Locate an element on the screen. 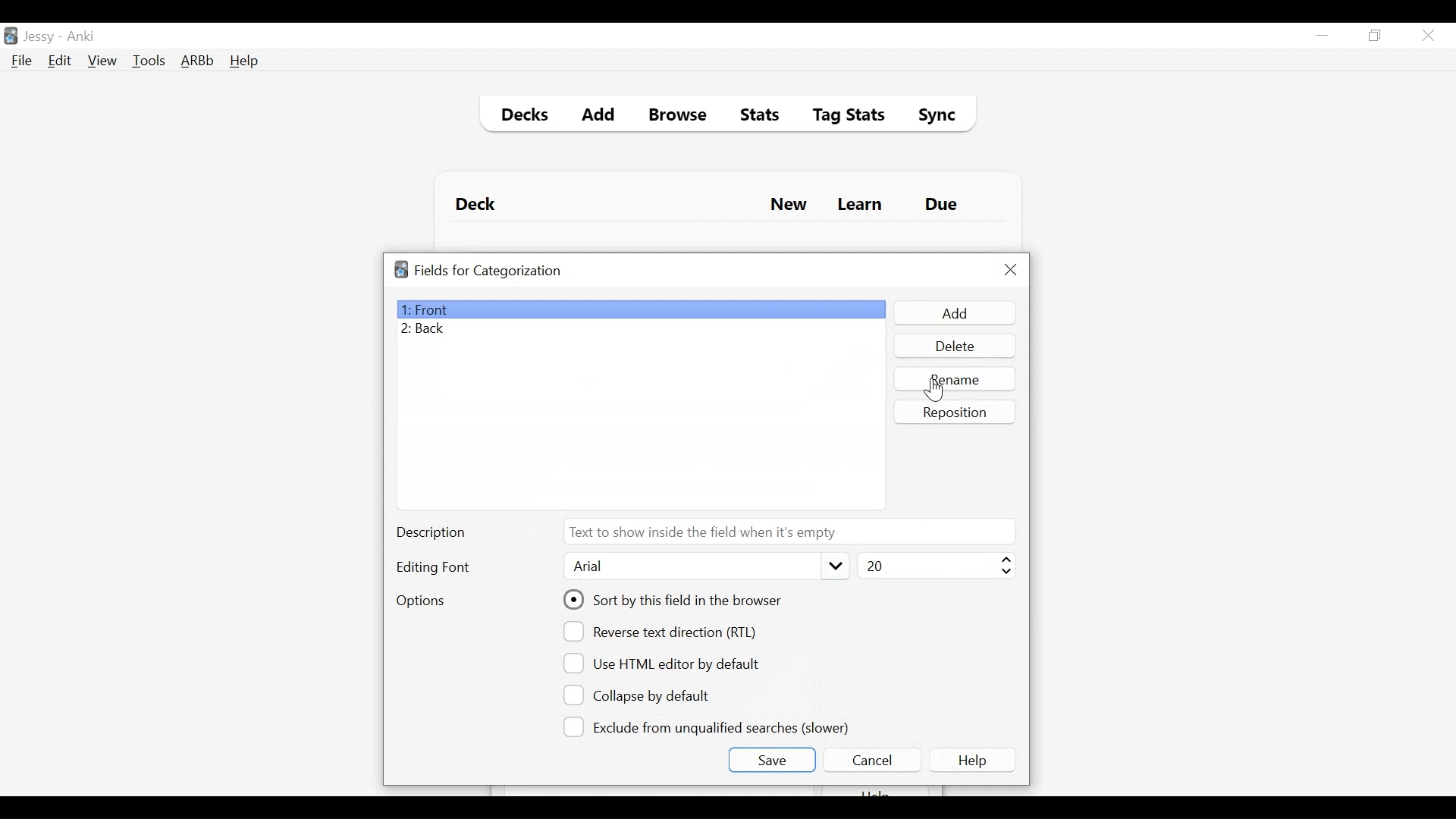  Text to Show inside the field when empty is located at coordinates (788, 531).